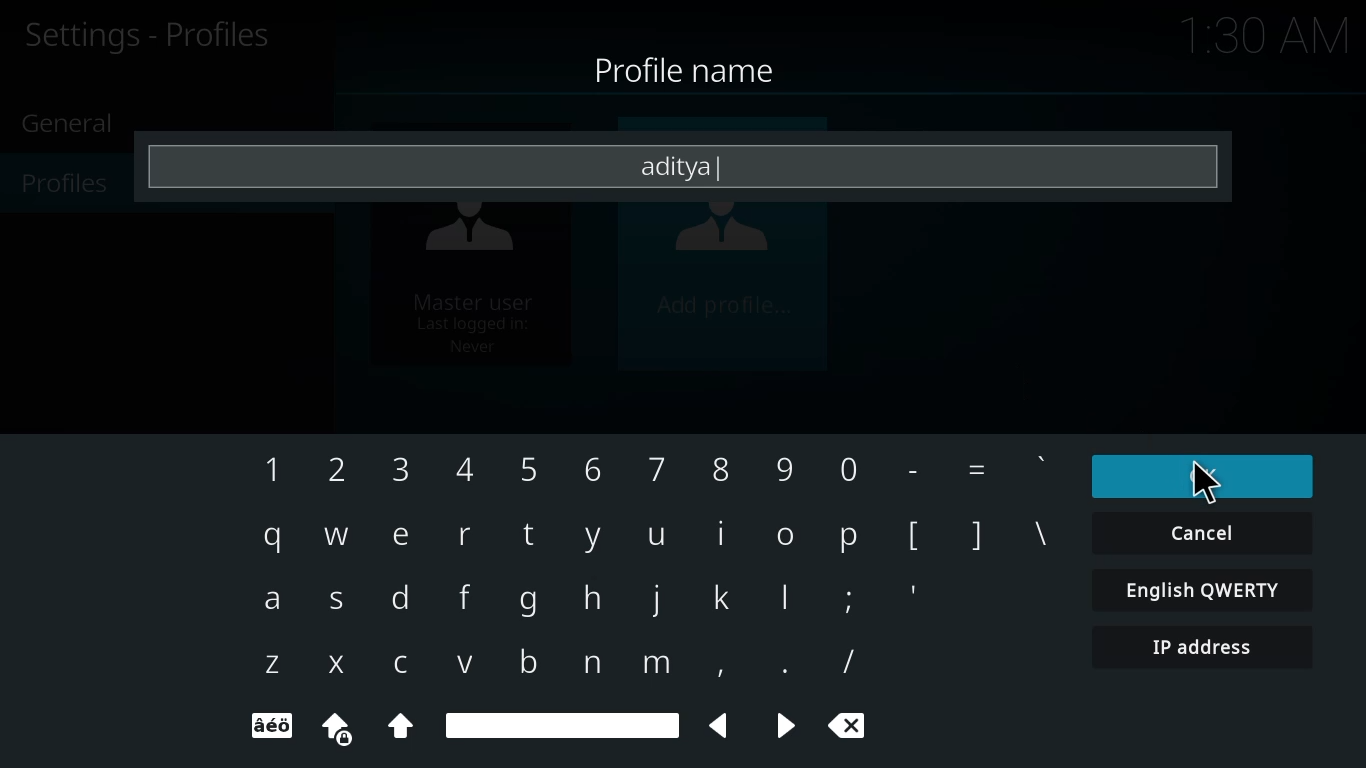 The image size is (1366, 768). What do you see at coordinates (526, 607) in the screenshot?
I see `g` at bounding box center [526, 607].